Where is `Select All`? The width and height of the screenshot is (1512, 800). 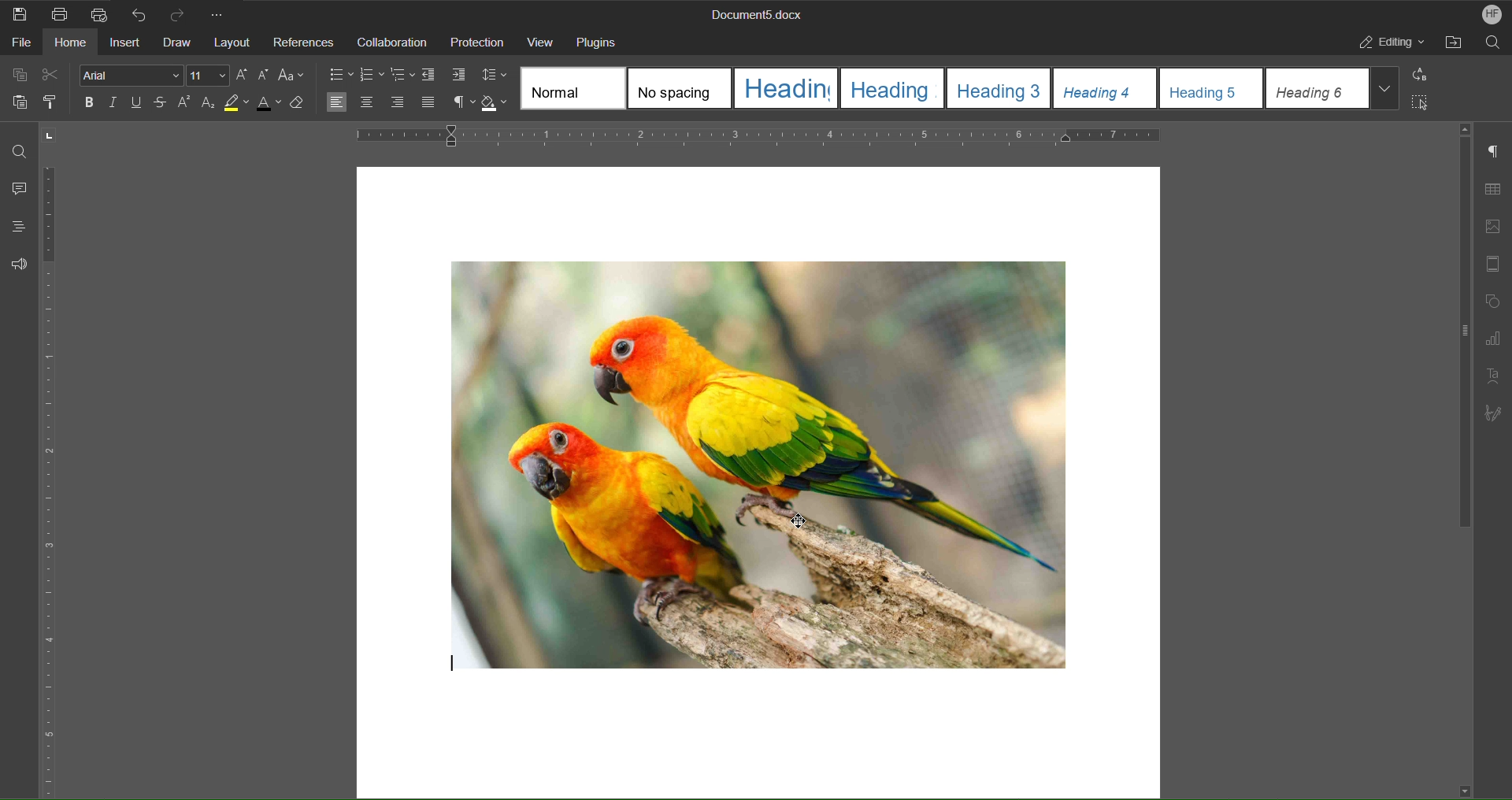
Select All is located at coordinates (1425, 106).